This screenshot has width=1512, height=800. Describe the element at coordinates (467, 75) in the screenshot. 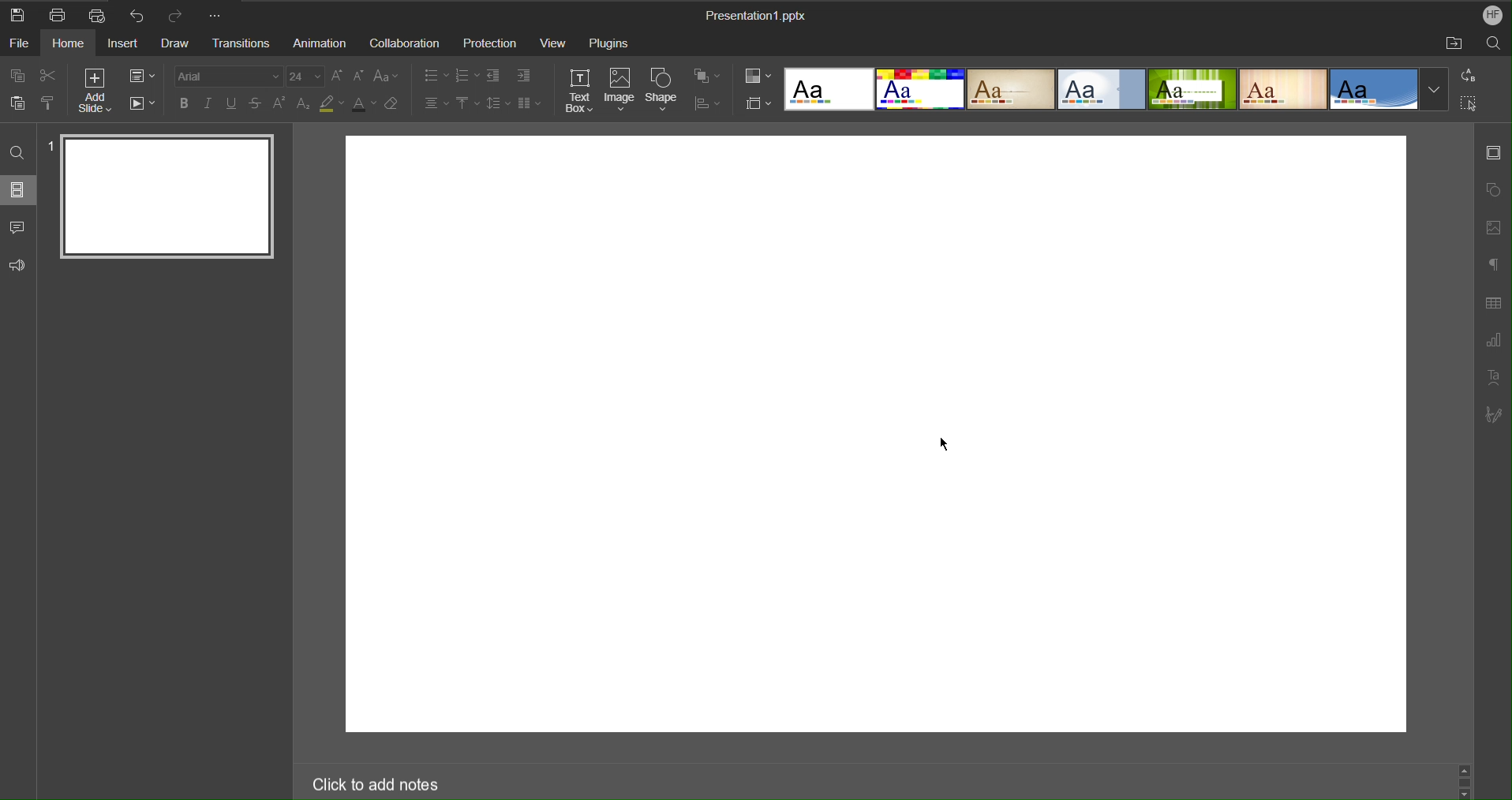

I see `Numbered List` at that location.